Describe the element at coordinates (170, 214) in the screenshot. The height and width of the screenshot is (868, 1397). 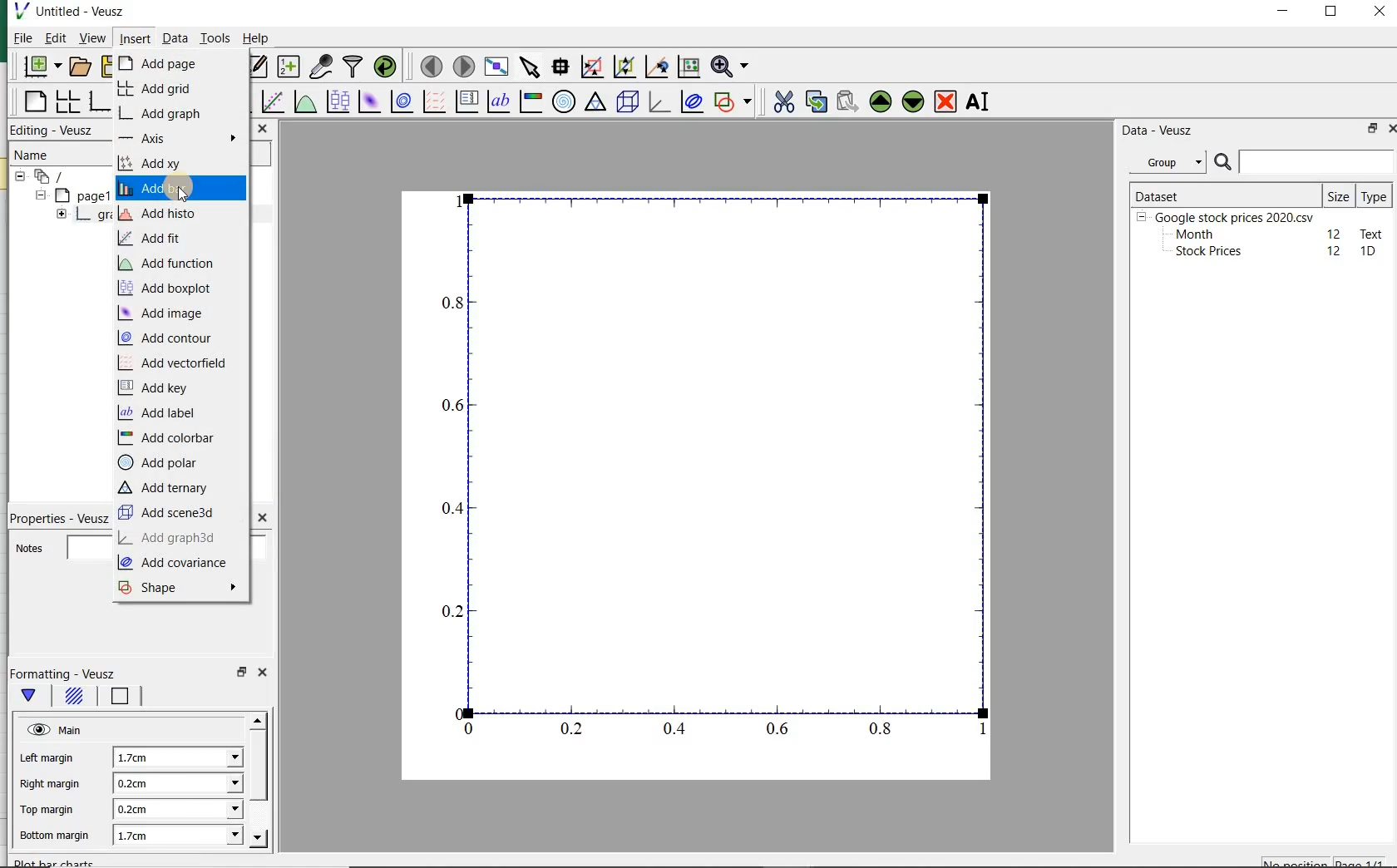
I see `add histo` at that location.